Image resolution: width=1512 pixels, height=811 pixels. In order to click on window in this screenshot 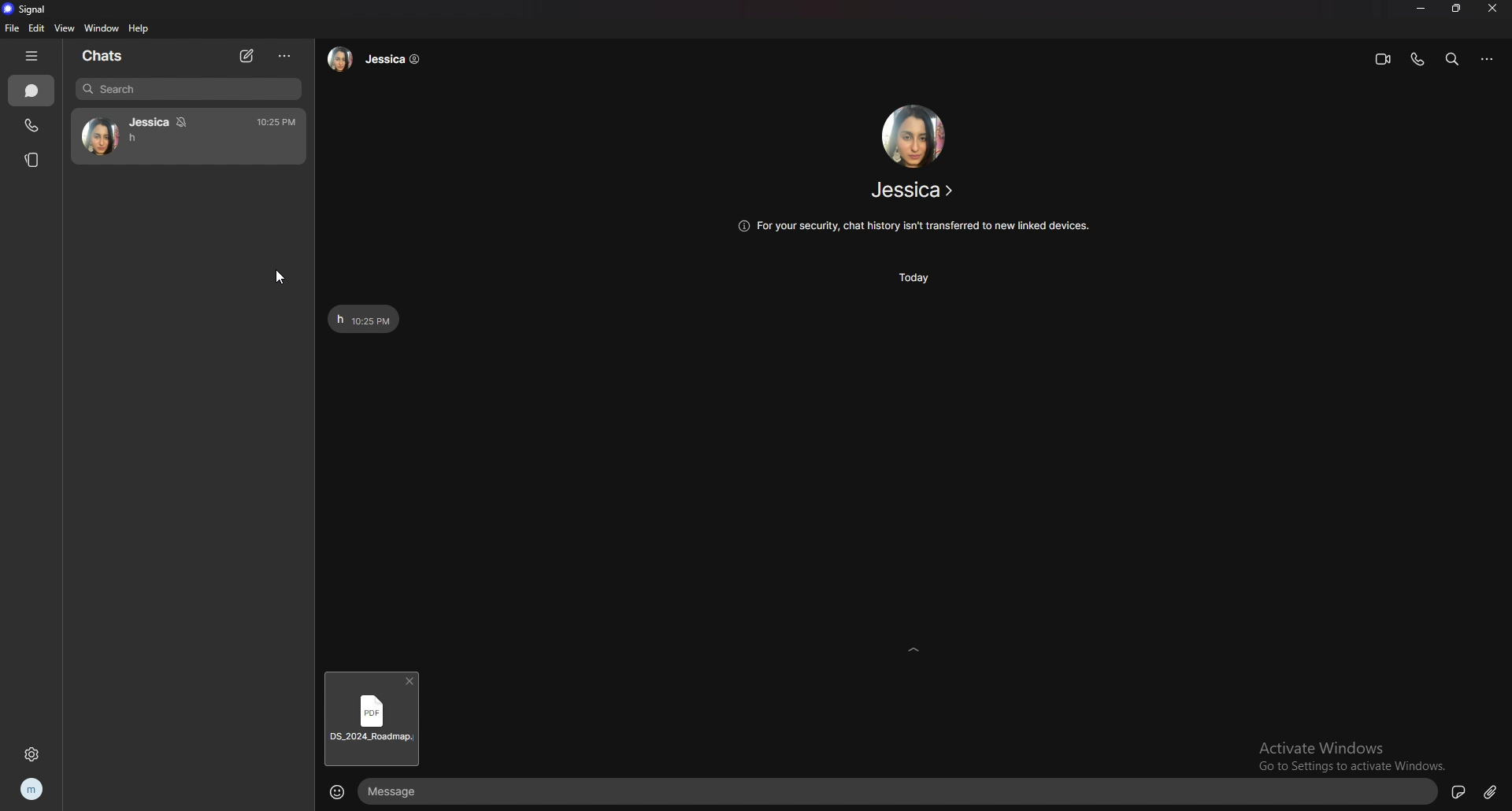, I will do `click(102, 28)`.